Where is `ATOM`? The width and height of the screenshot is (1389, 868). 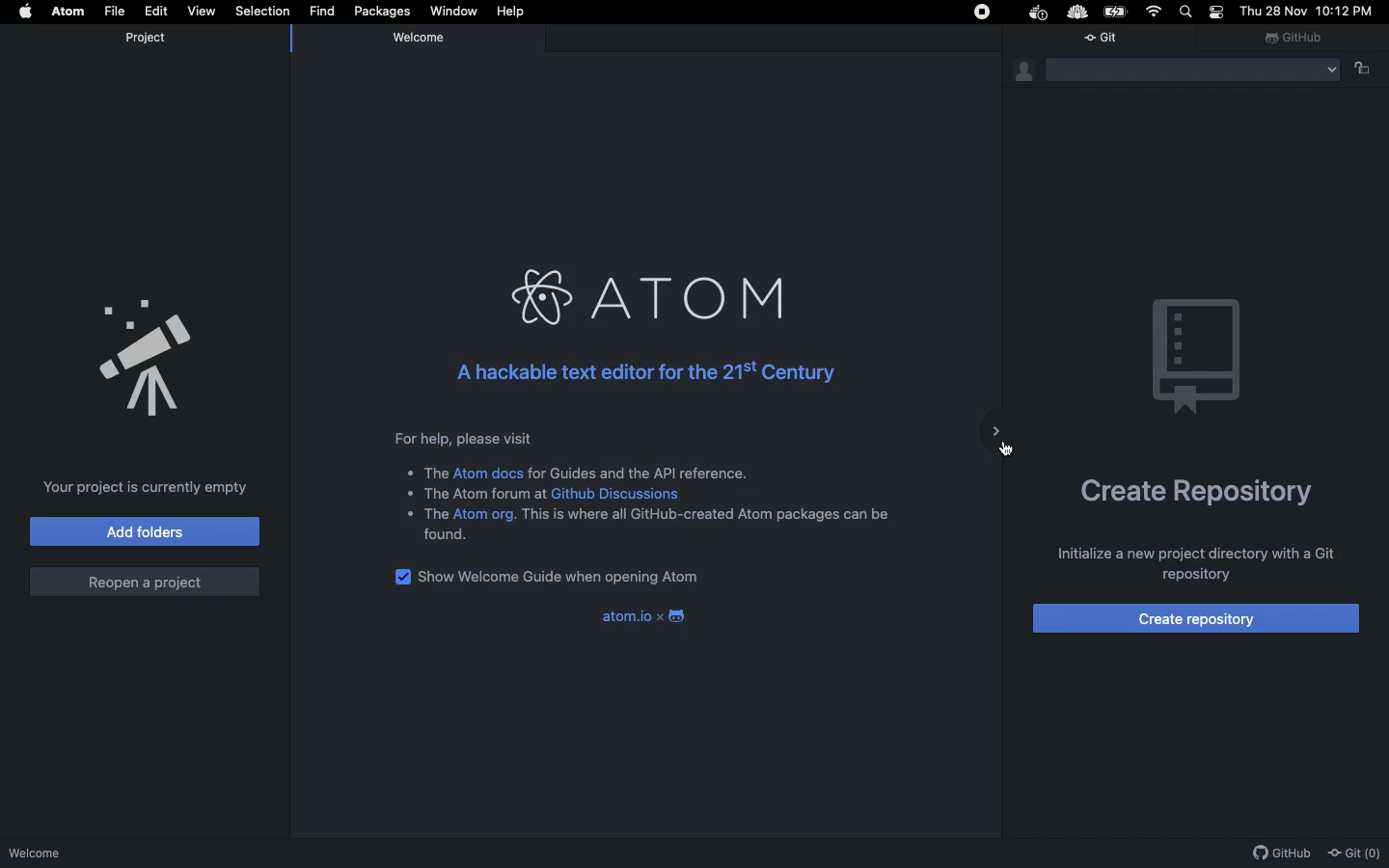
ATOM is located at coordinates (640, 290).